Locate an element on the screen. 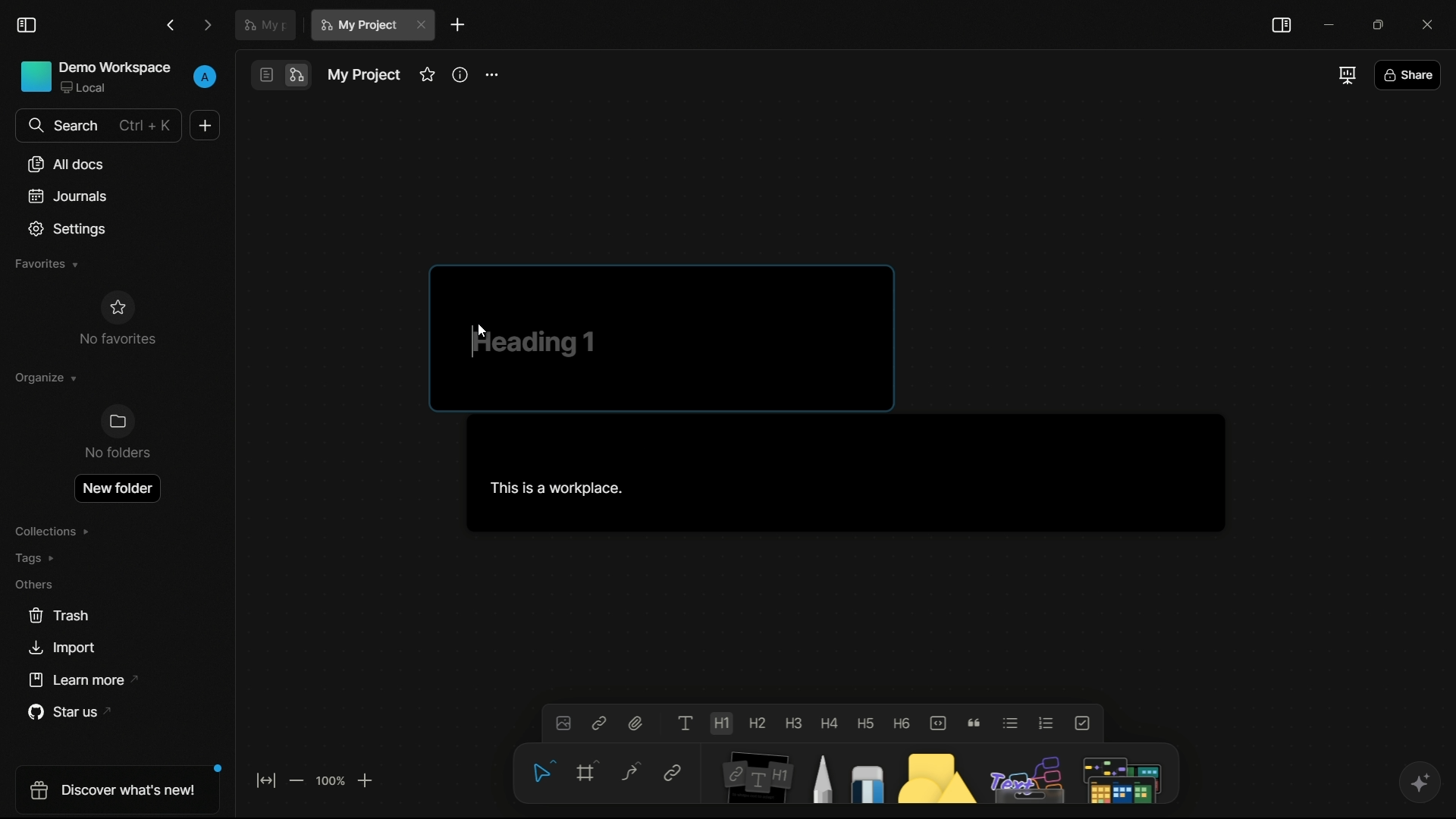 The height and width of the screenshot is (819, 1456). learn more is located at coordinates (71, 681).